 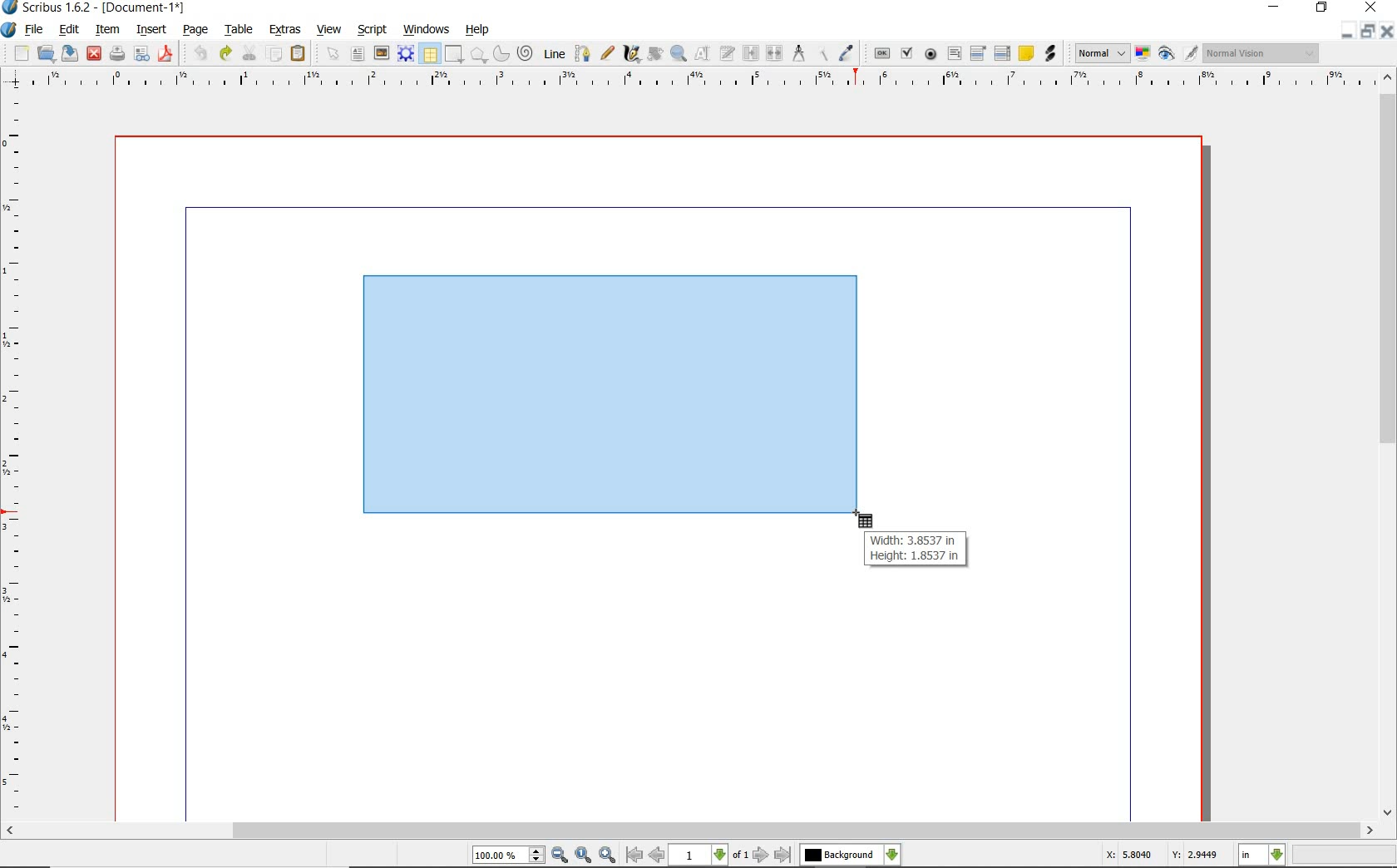 What do you see at coordinates (16, 455) in the screenshot?
I see `ruler` at bounding box center [16, 455].